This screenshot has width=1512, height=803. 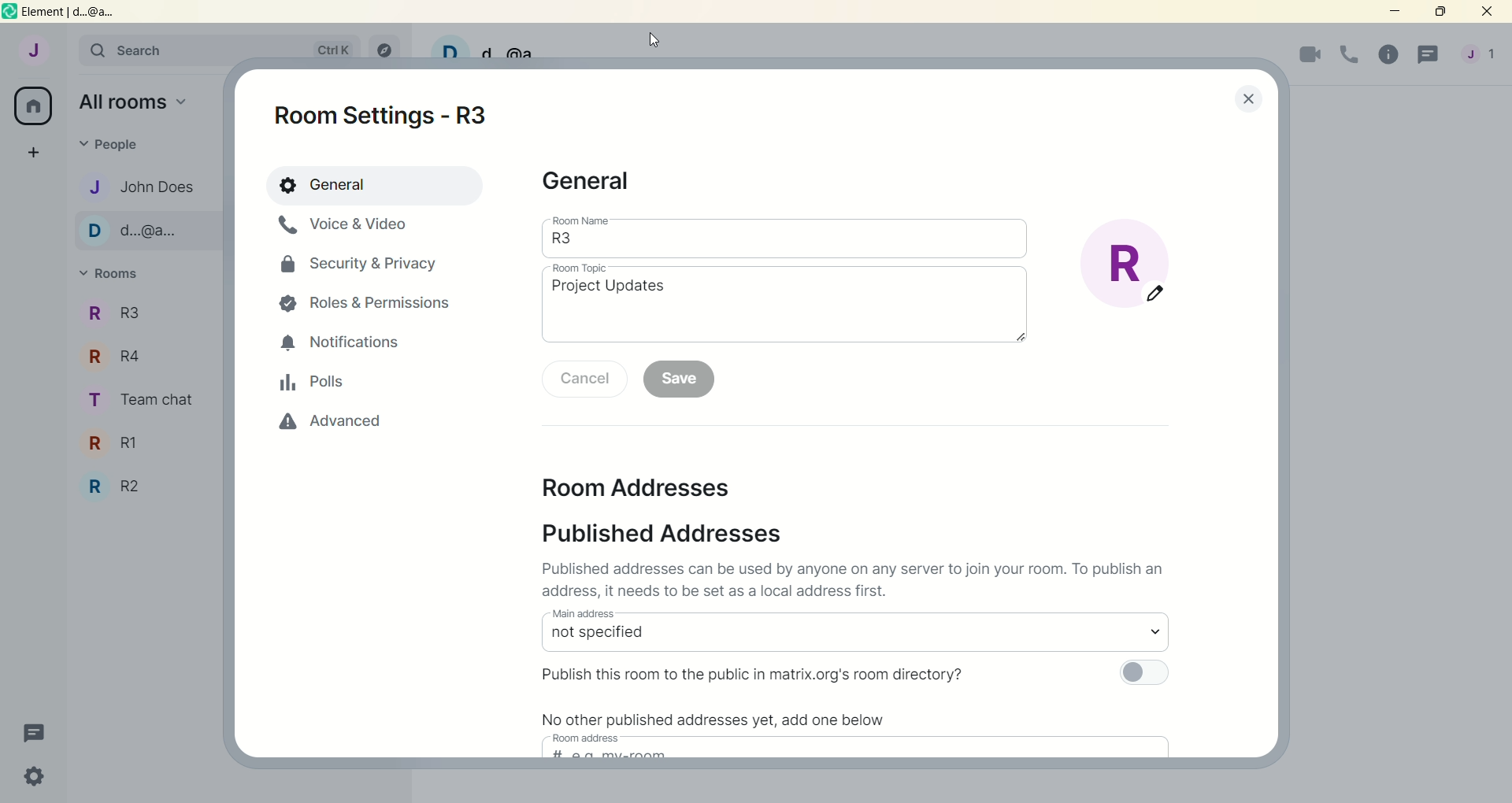 What do you see at coordinates (139, 101) in the screenshot?
I see `all rooms` at bounding box center [139, 101].